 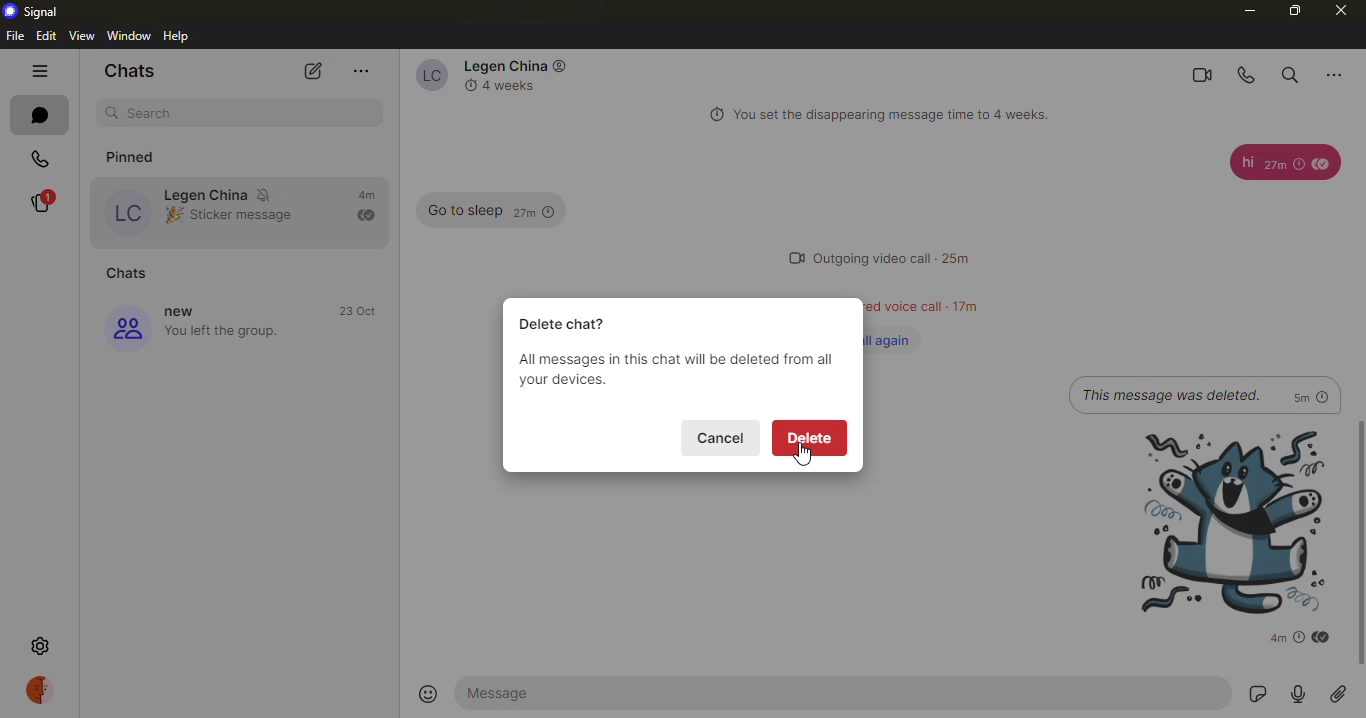 What do you see at coordinates (1289, 72) in the screenshot?
I see `search` at bounding box center [1289, 72].